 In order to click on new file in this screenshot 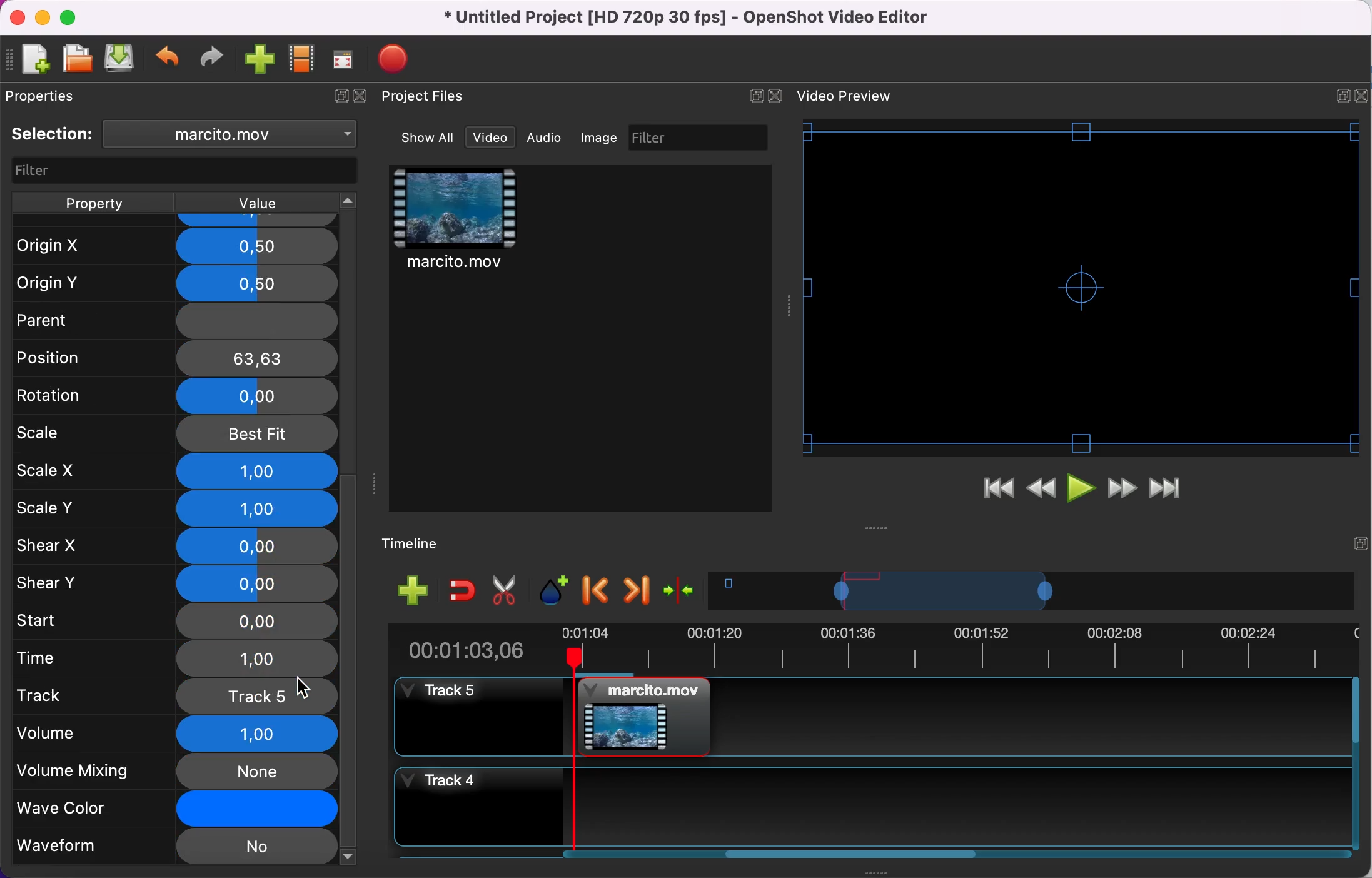, I will do `click(30, 61)`.